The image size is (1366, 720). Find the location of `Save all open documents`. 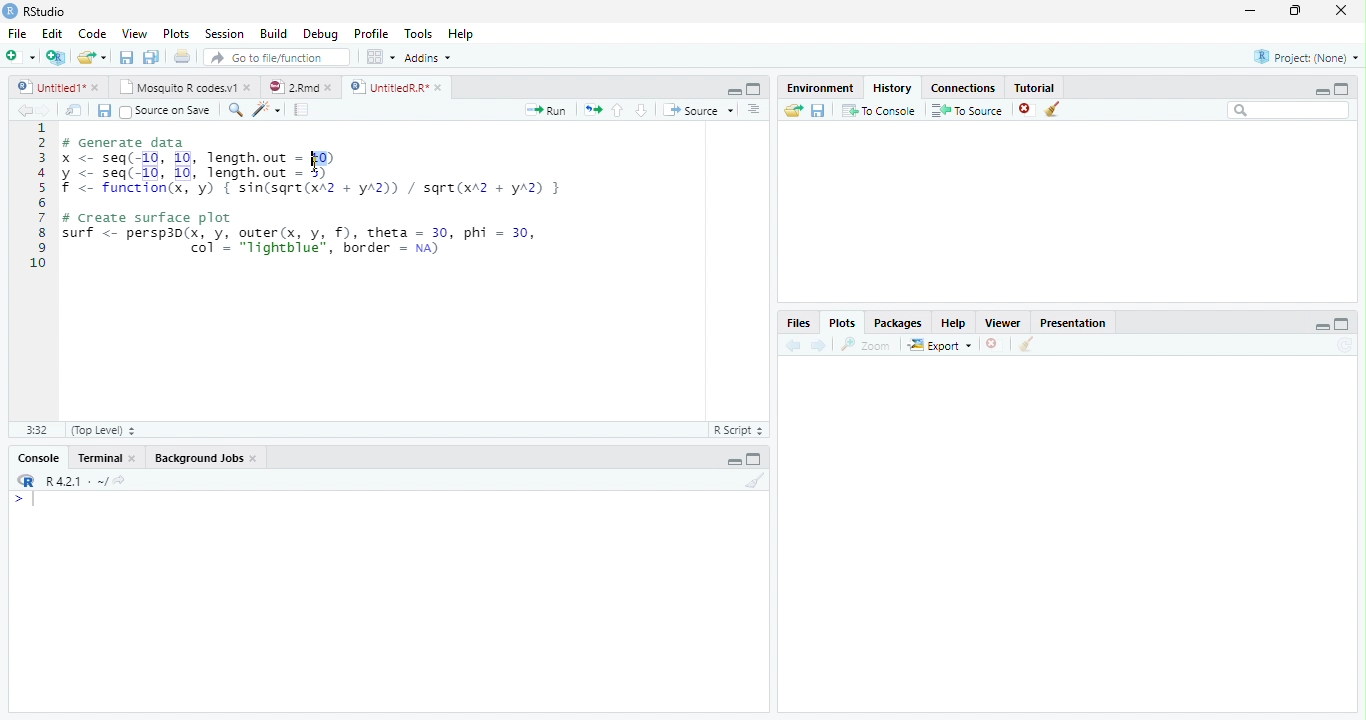

Save all open documents is located at coordinates (150, 56).